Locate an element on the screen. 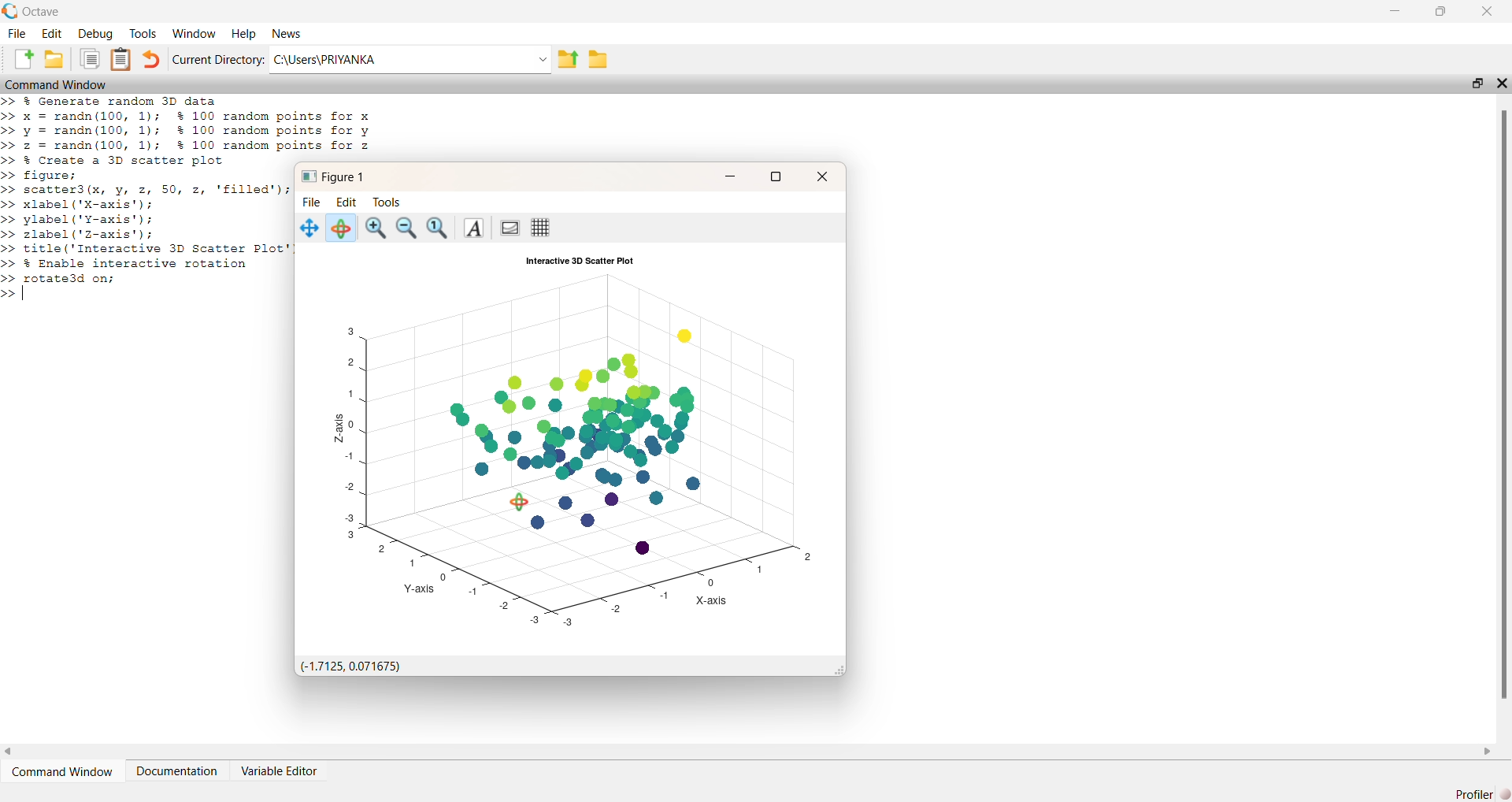 The height and width of the screenshot is (802, 1512). new document is located at coordinates (23, 58).